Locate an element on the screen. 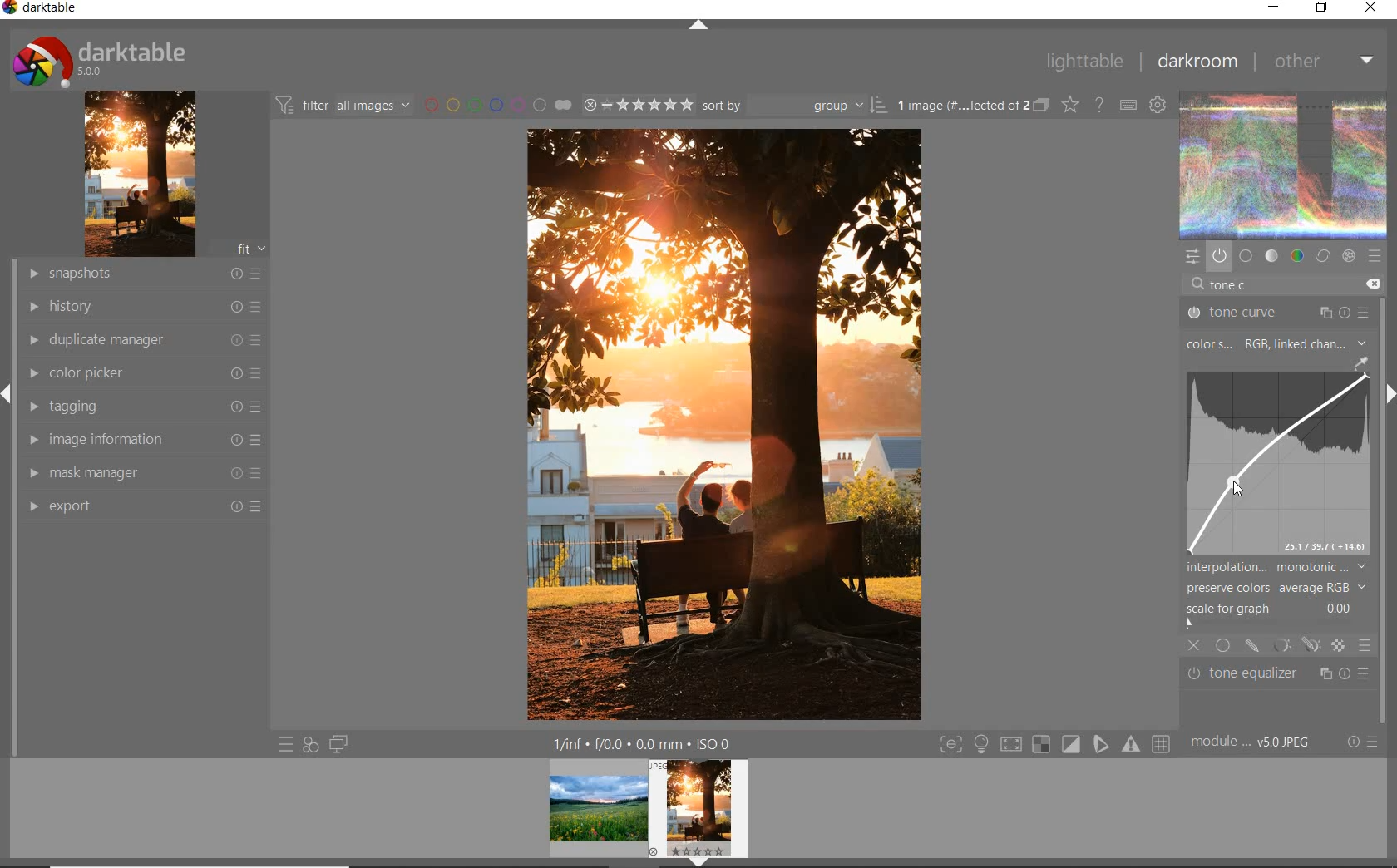  define keyboard shortcuts is located at coordinates (1159, 104).